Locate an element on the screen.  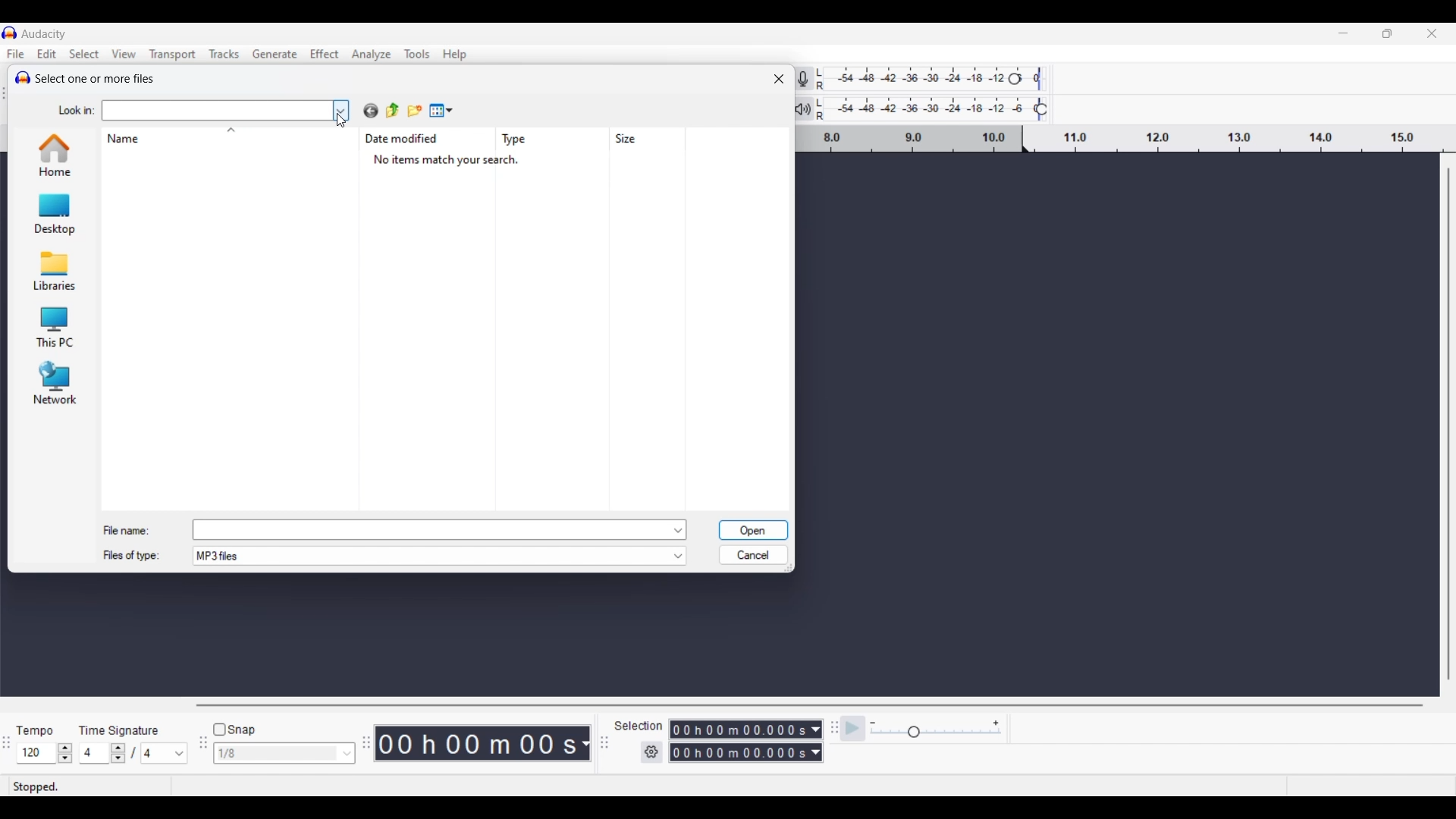
Playback meter is located at coordinates (812, 108).